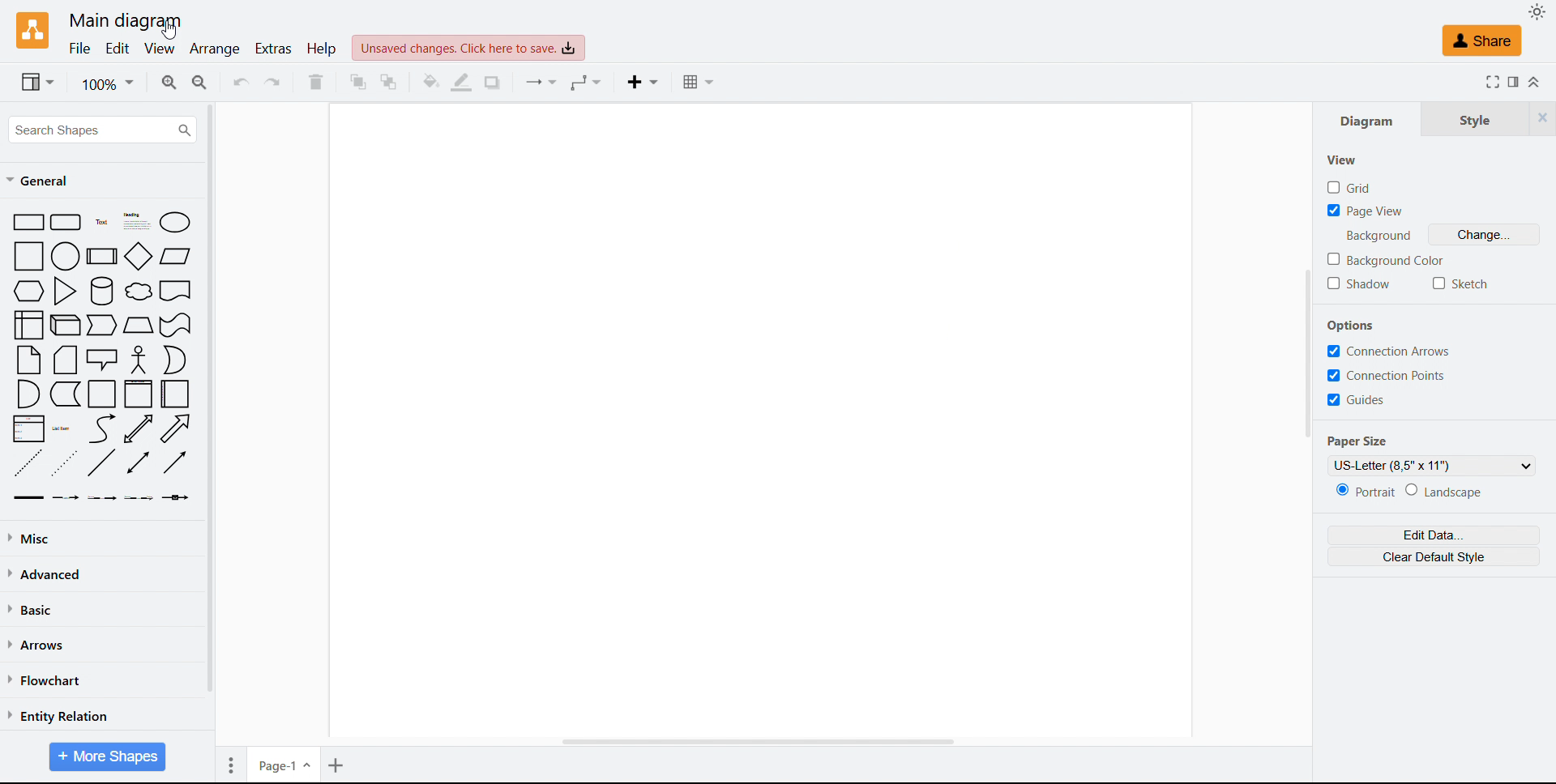 Image resolution: width=1556 pixels, height=784 pixels. I want to click on guides , so click(1356, 399).